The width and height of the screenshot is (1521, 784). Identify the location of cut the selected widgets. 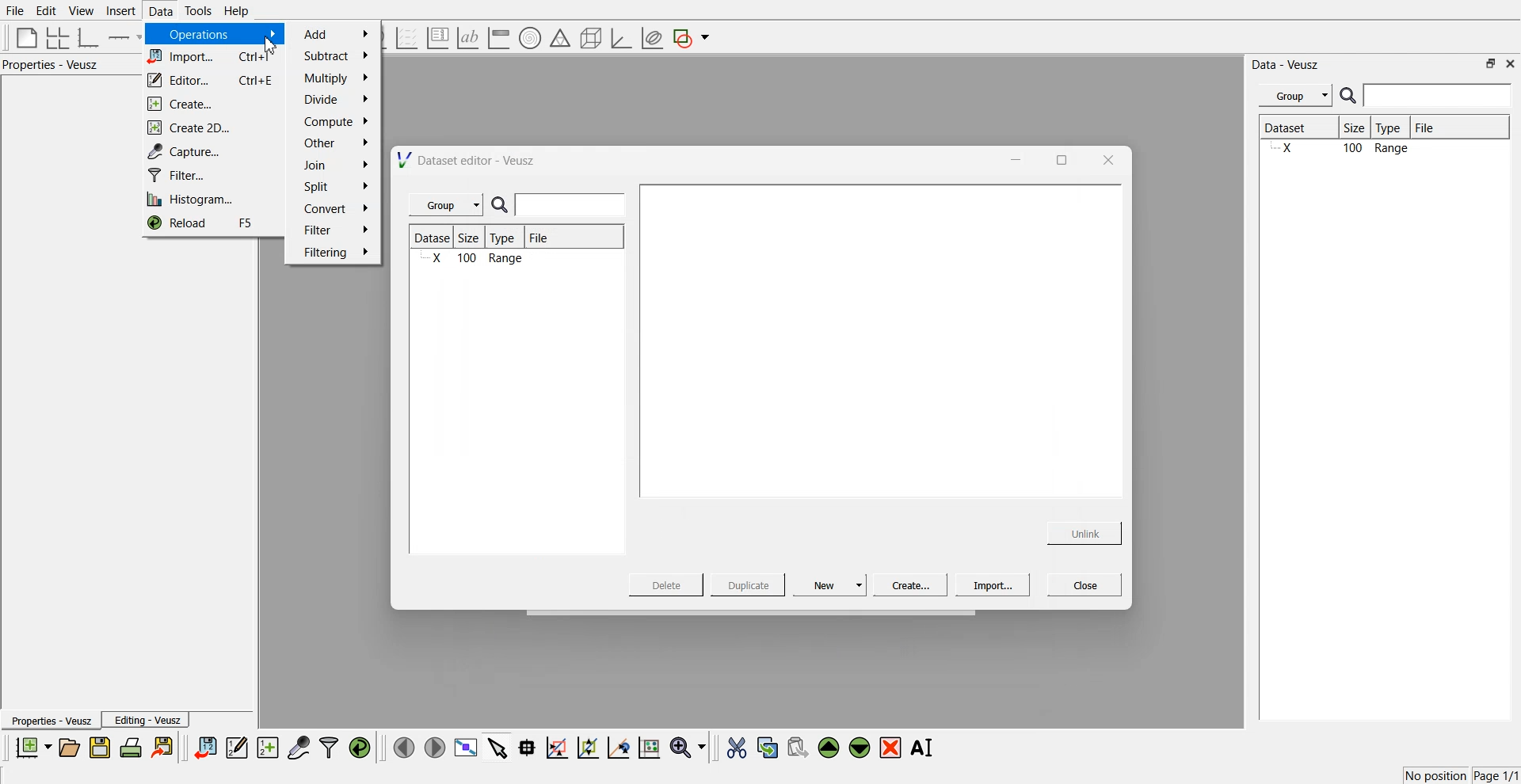
(735, 748).